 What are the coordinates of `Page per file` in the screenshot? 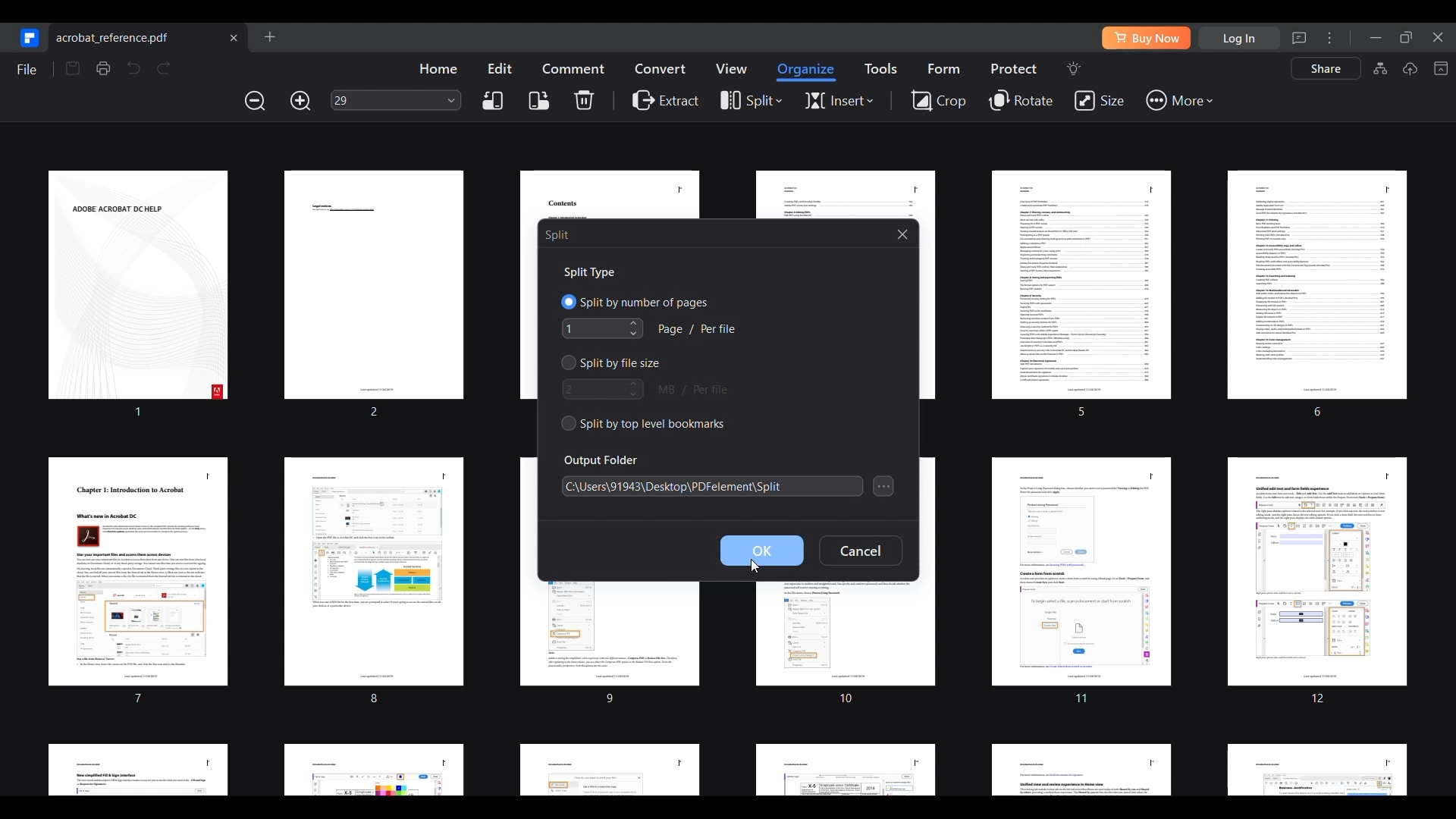 It's located at (699, 329).